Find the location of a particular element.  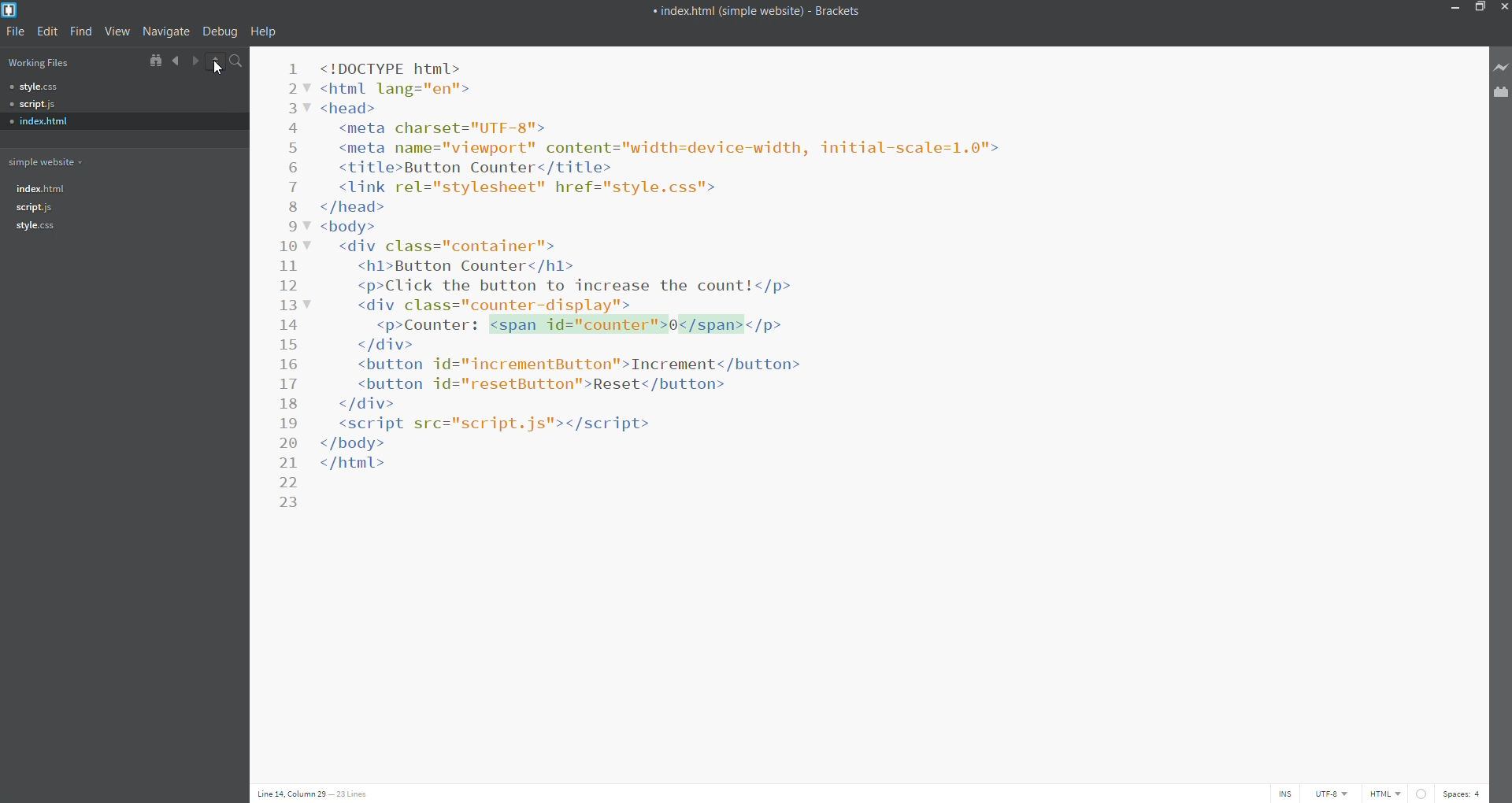

show in file tree is located at coordinates (156, 61).